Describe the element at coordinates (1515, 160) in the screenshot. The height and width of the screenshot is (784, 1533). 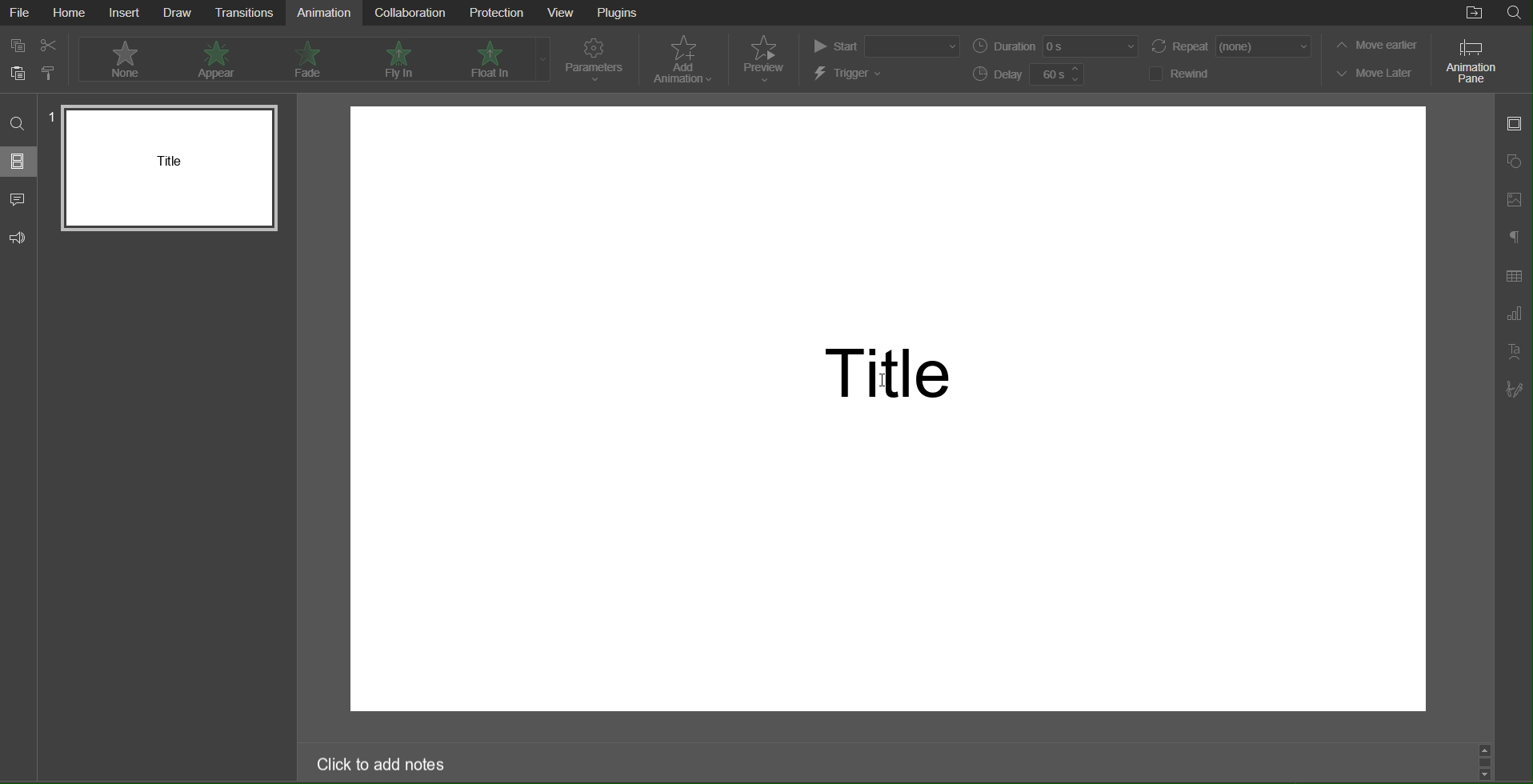
I see `Shape Settings` at that location.